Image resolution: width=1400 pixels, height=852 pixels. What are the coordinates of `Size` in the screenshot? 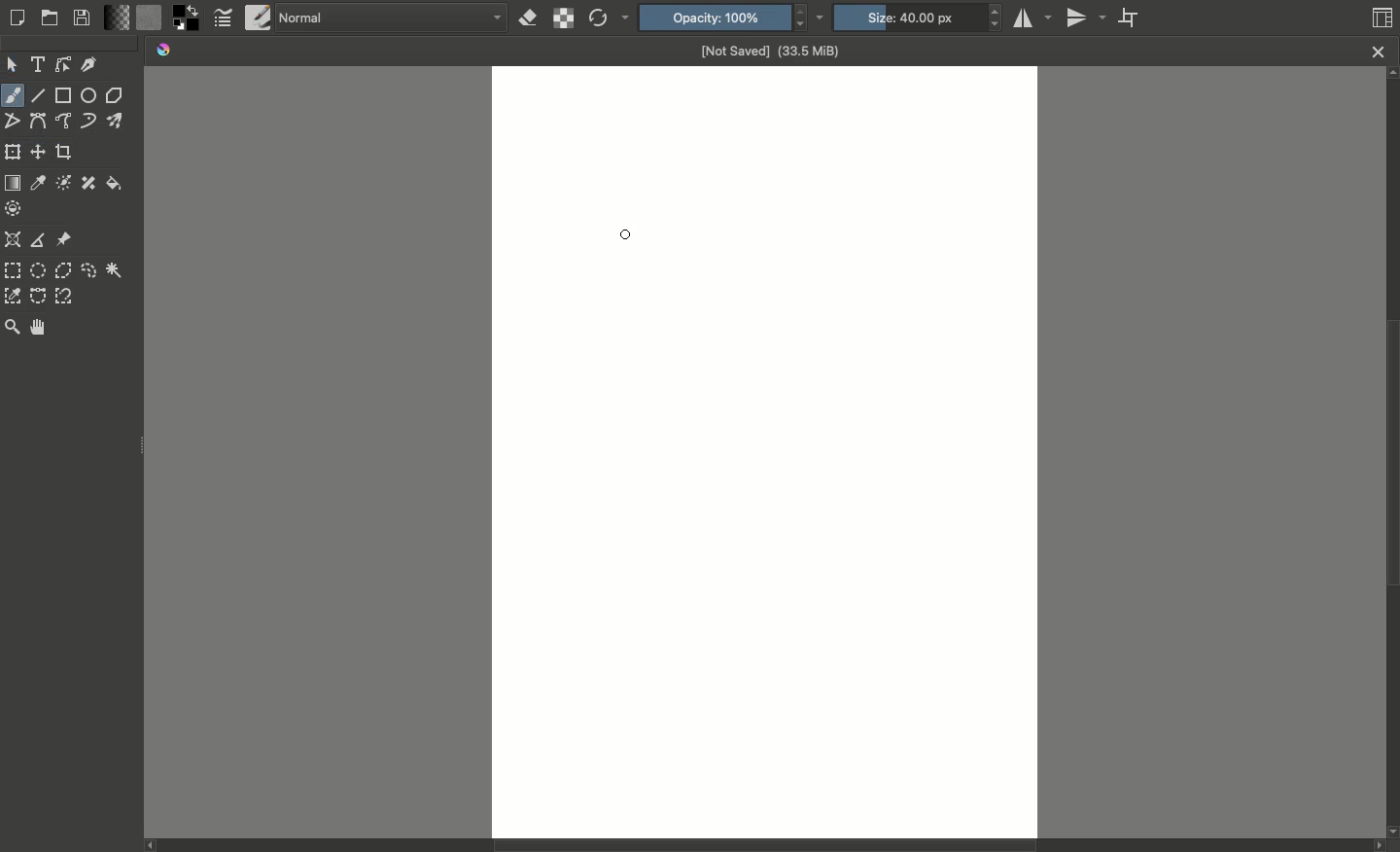 It's located at (918, 18).